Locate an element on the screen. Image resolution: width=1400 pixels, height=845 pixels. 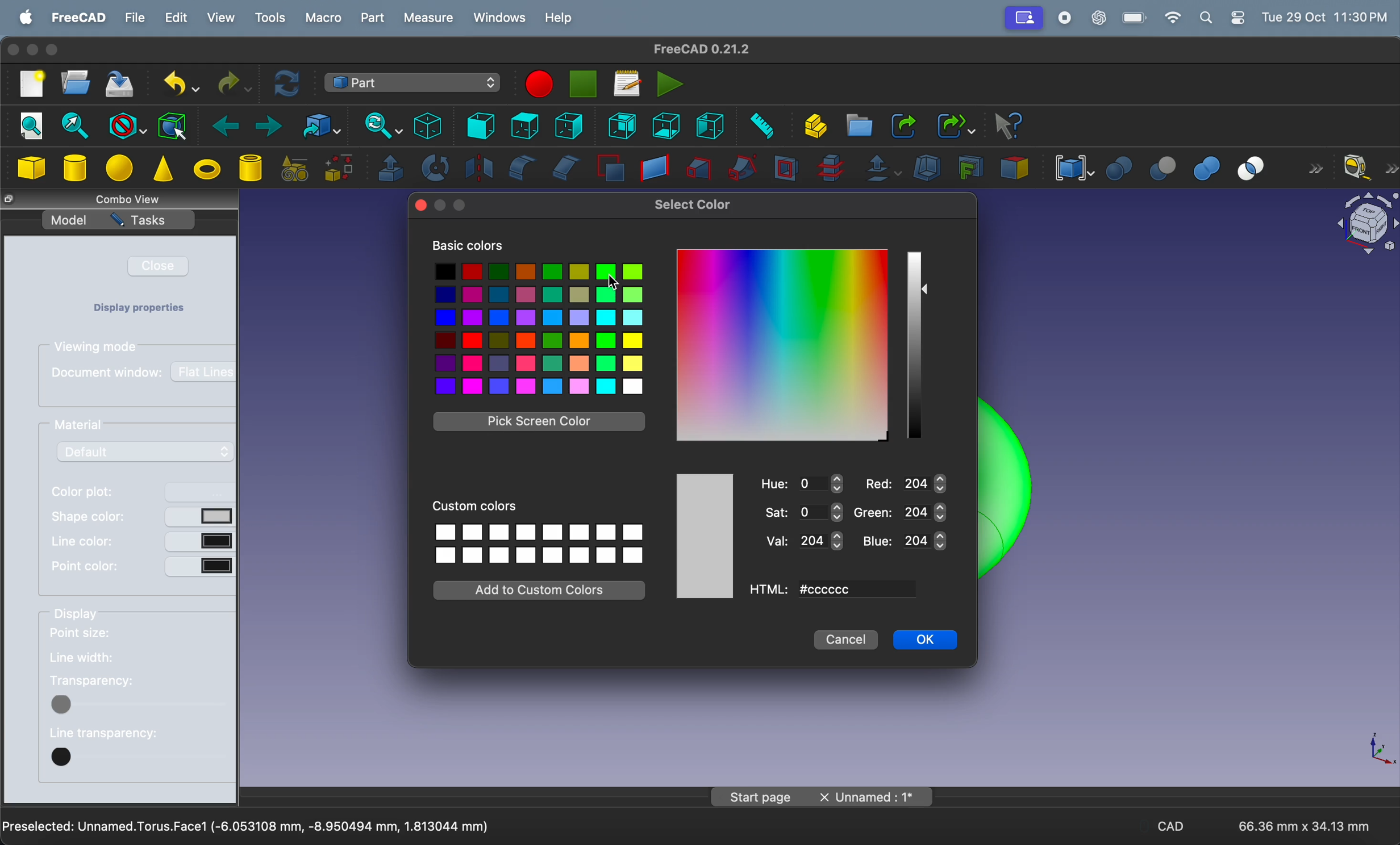
file is located at coordinates (134, 18).